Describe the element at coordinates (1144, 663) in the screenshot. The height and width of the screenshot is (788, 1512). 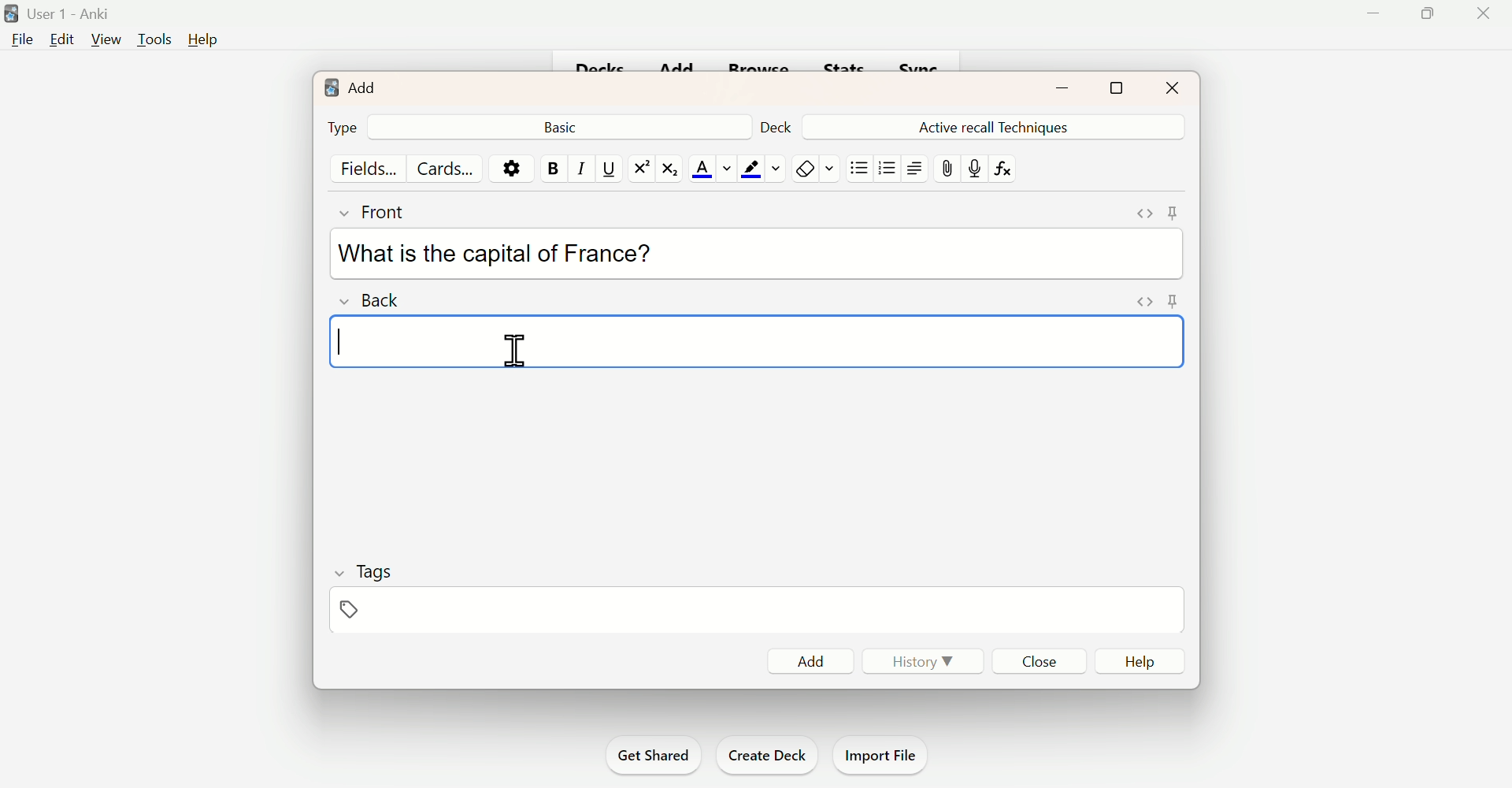
I see `Help` at that location.